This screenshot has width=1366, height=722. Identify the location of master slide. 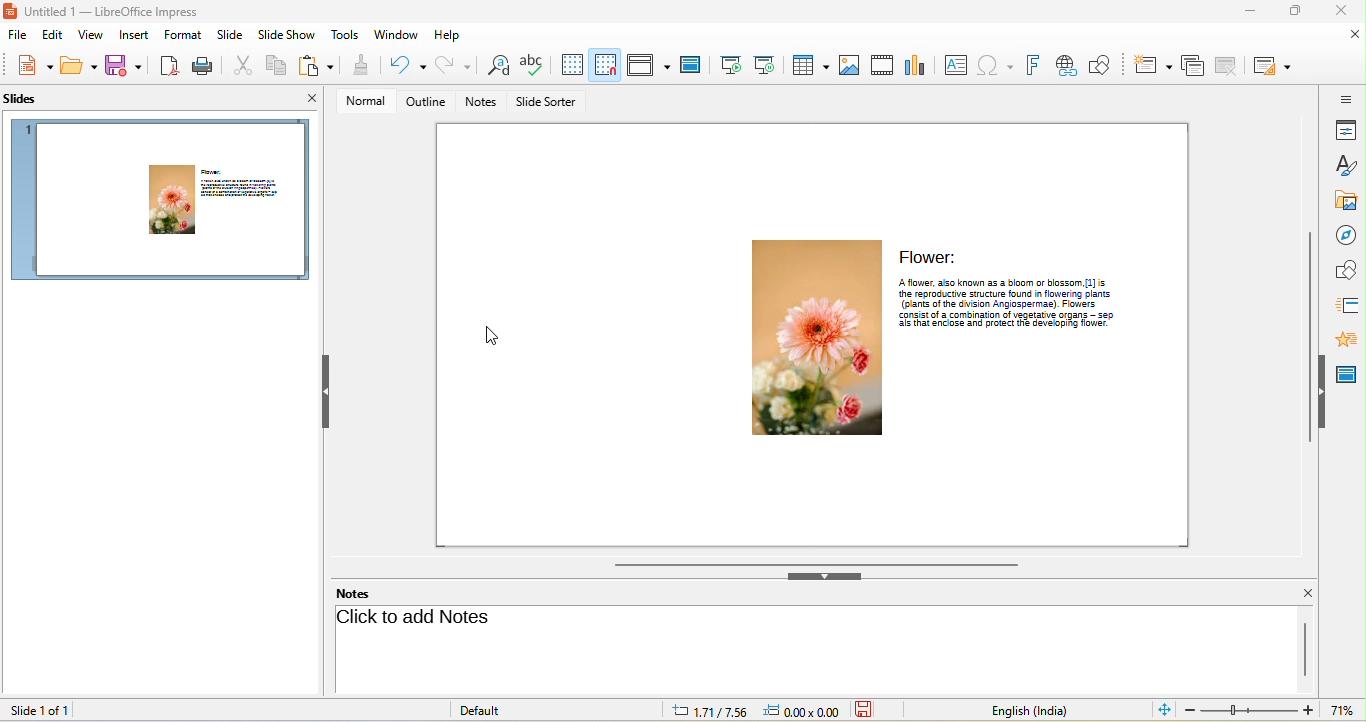
(692, 65).